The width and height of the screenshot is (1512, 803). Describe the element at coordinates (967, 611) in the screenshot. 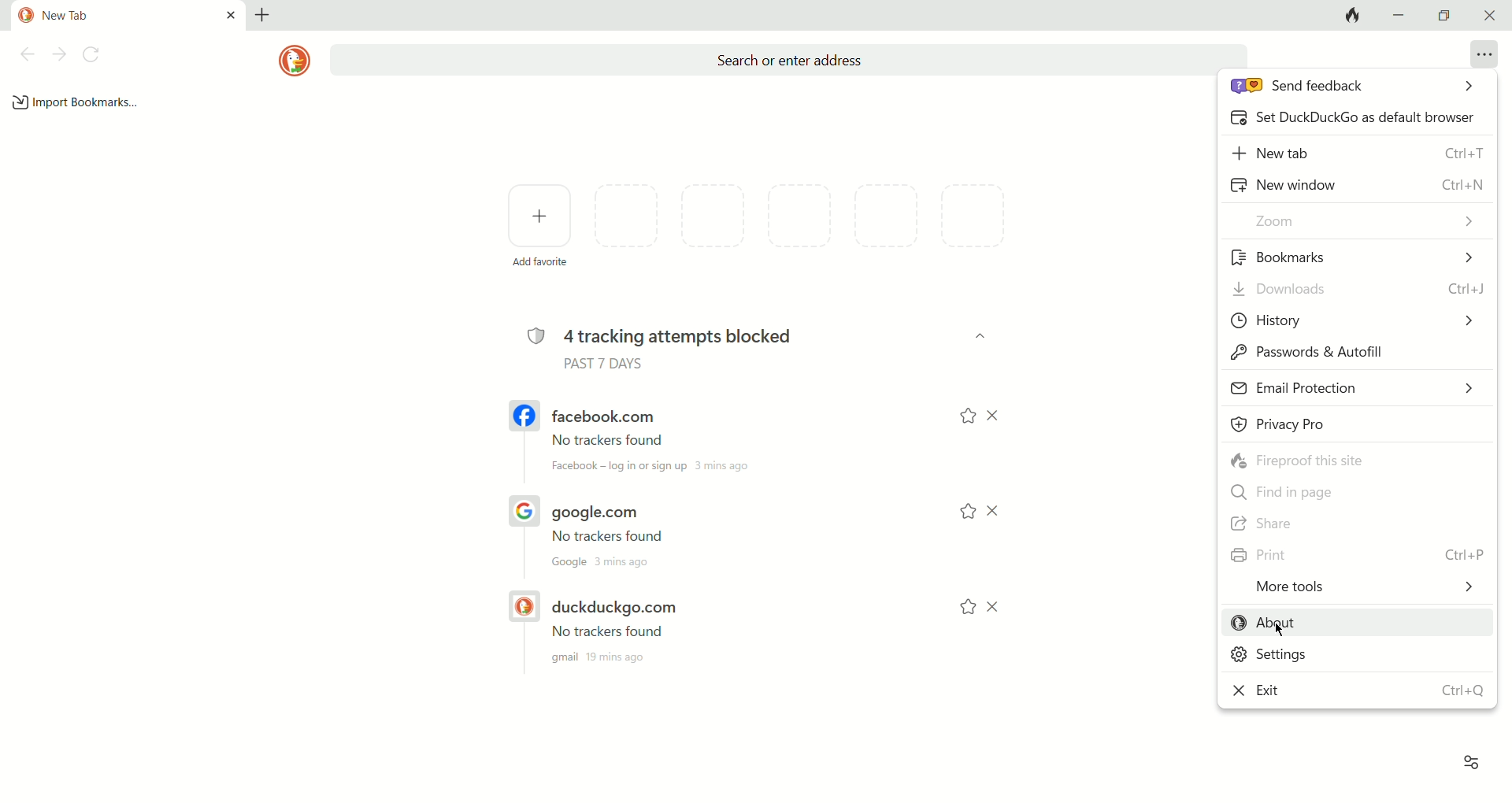

I see `add to favorites` at that location.